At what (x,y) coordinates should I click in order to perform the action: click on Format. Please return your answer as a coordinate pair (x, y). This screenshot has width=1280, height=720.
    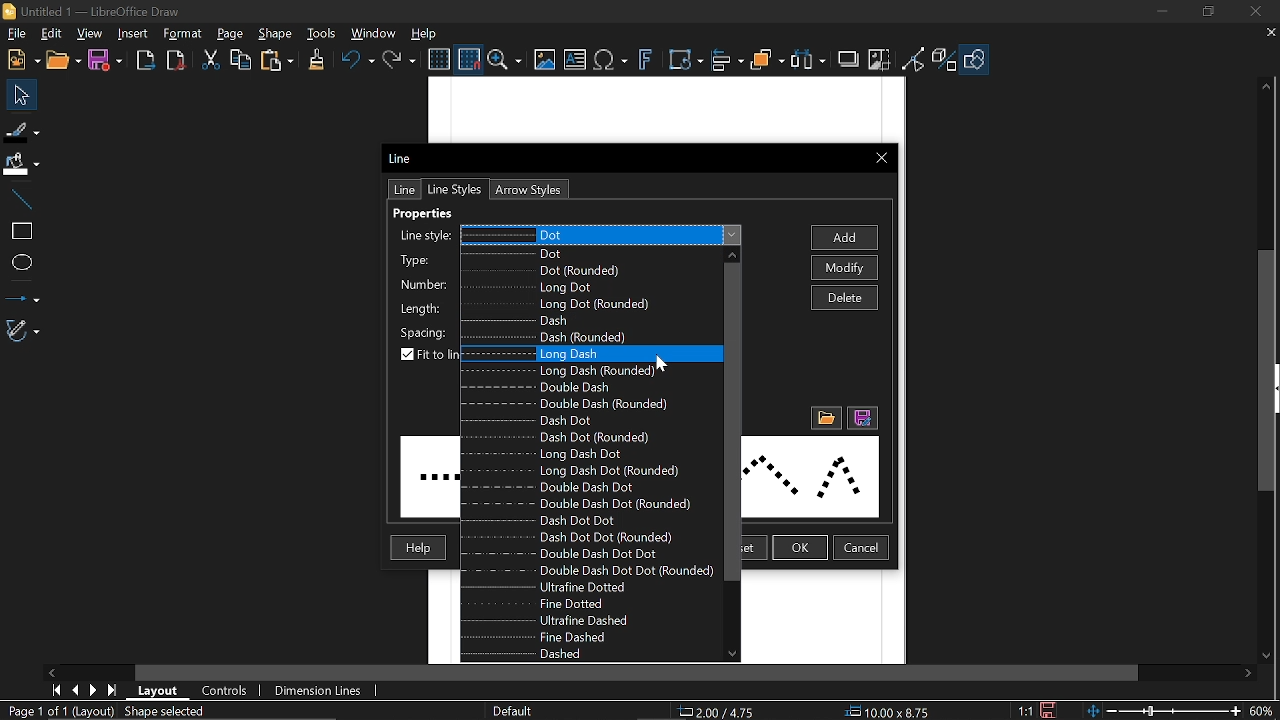
    Looking at the image, I should click on (183, 34).